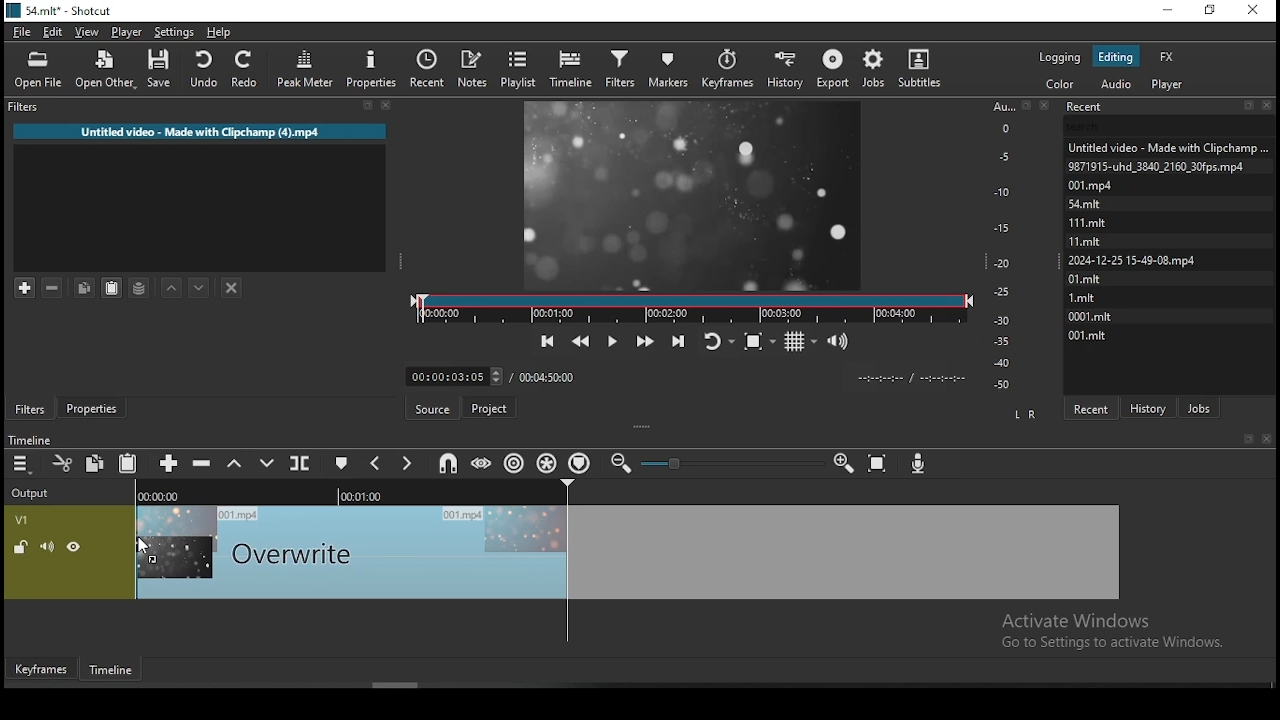 This screenshot has height=720, width=1280. I want to click on history, so click(1151, 405).